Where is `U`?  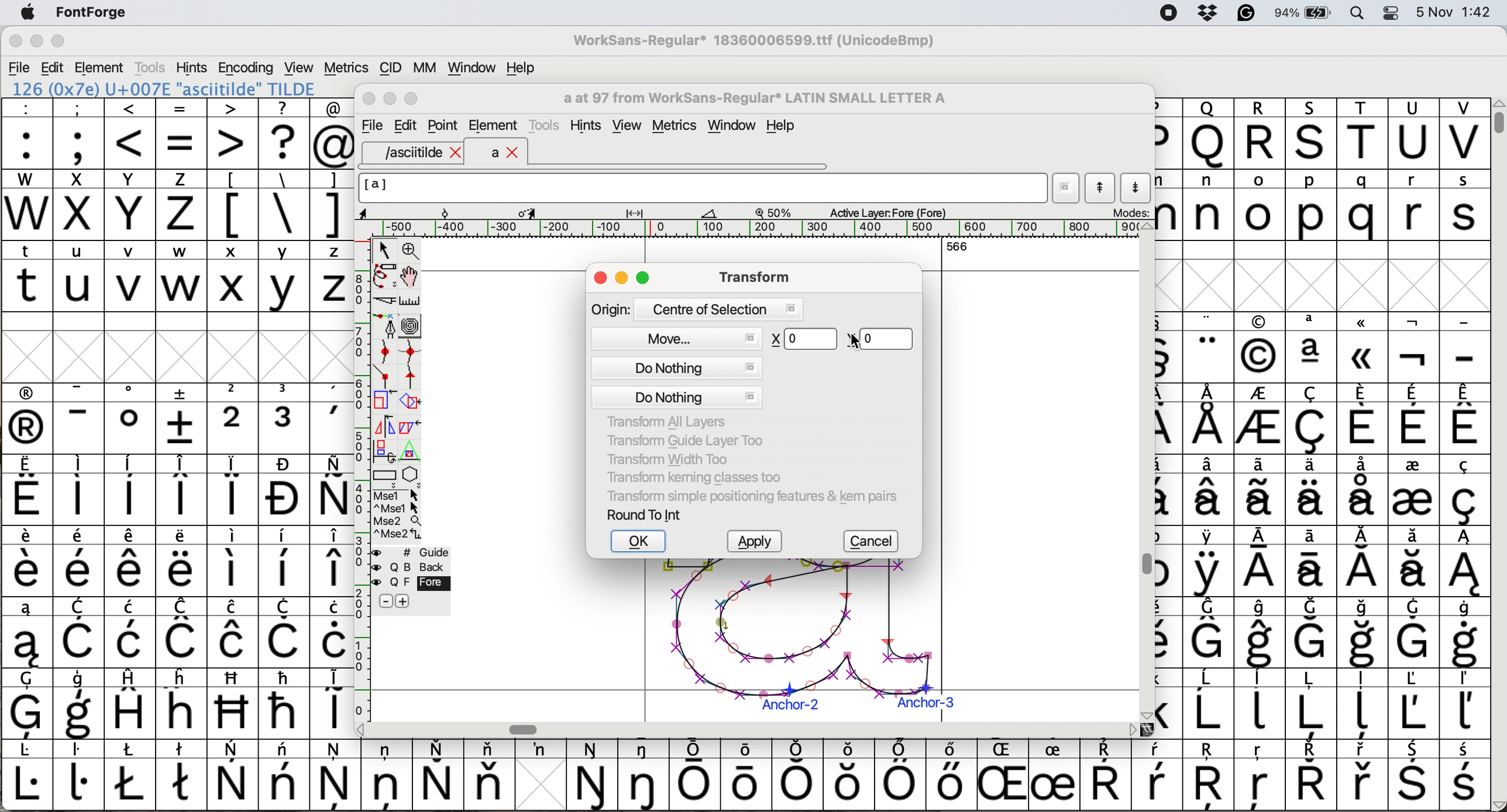 U is located at coordinates (1413, 134).